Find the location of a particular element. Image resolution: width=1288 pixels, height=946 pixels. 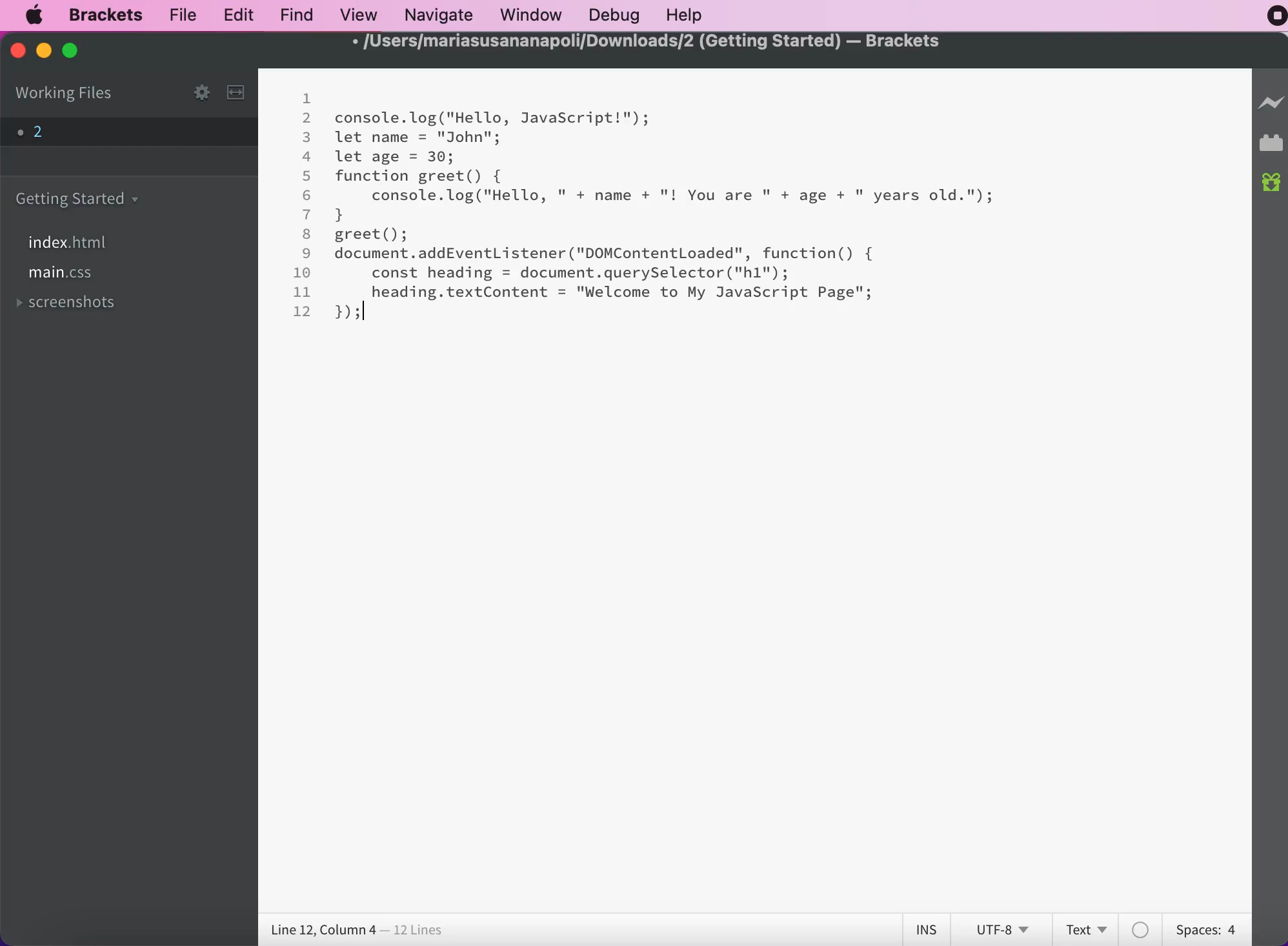

edit is located at coordinates (237, 15).